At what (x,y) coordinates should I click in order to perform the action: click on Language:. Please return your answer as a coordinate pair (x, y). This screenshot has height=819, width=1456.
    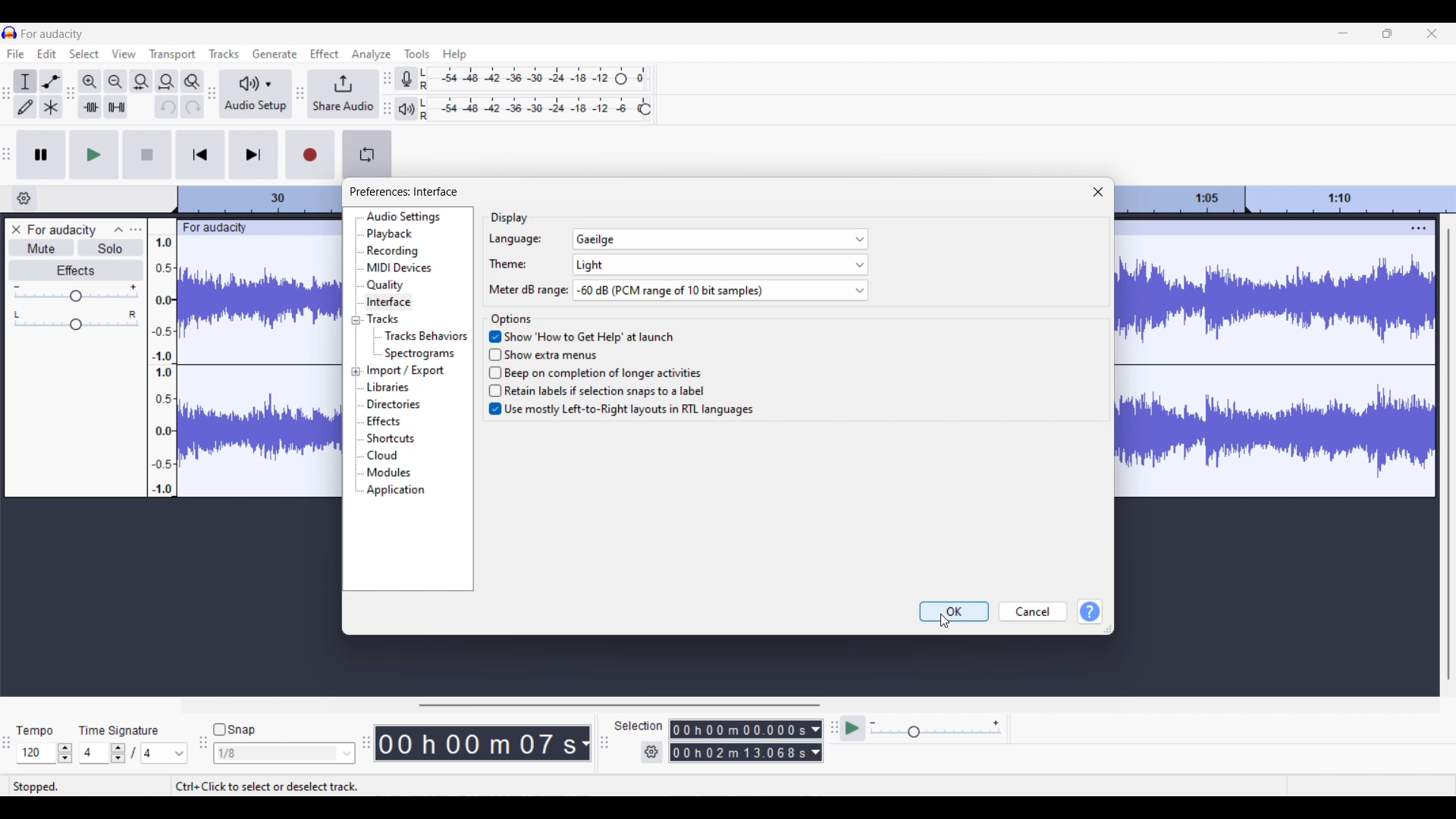
    Looking at the image, I should click on (515, 240).